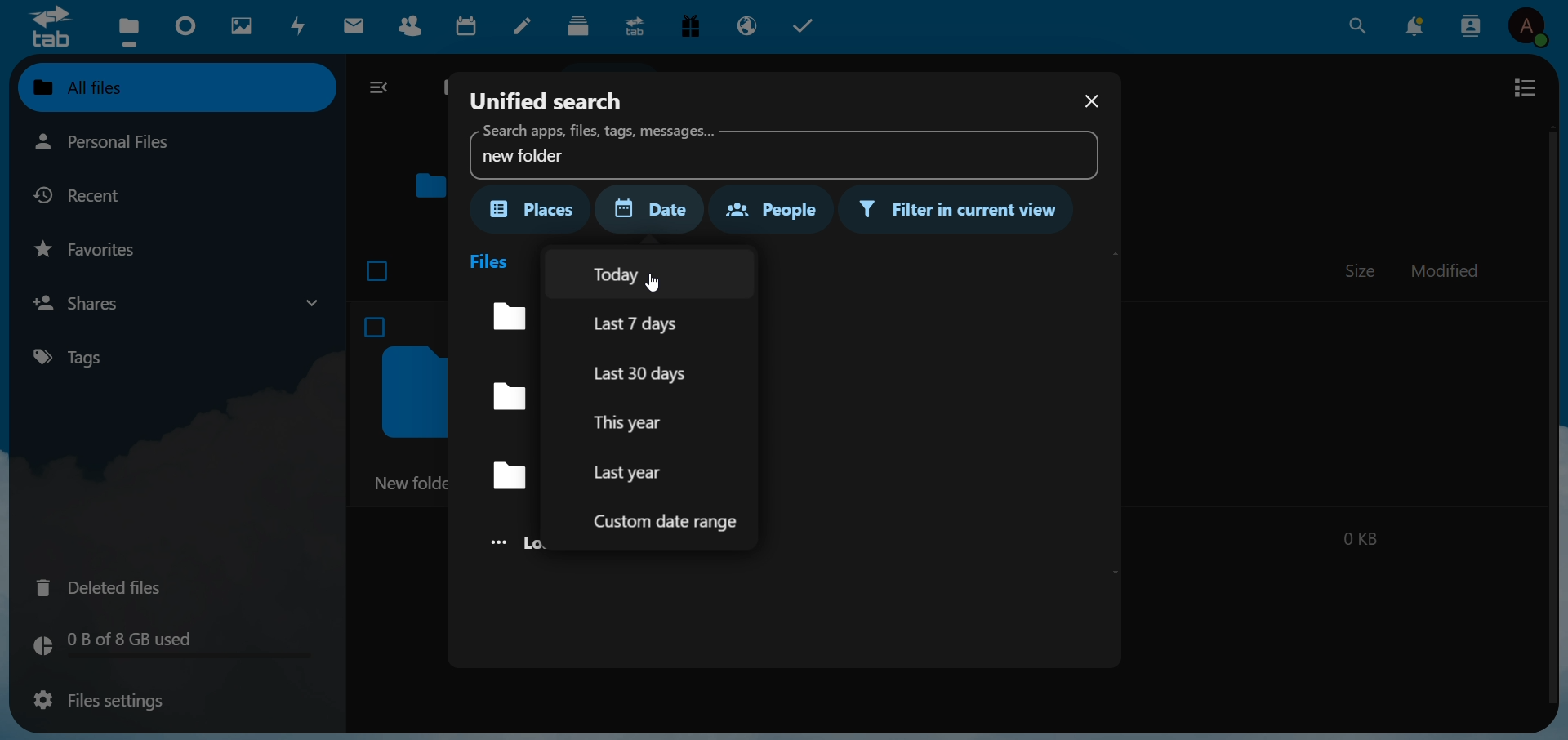 The height and width of the screenshot is (740, 1568). What do you see at coordinates (670, 522) in the screenshot?
I see `custom data range` at bounding box center [670, 522].